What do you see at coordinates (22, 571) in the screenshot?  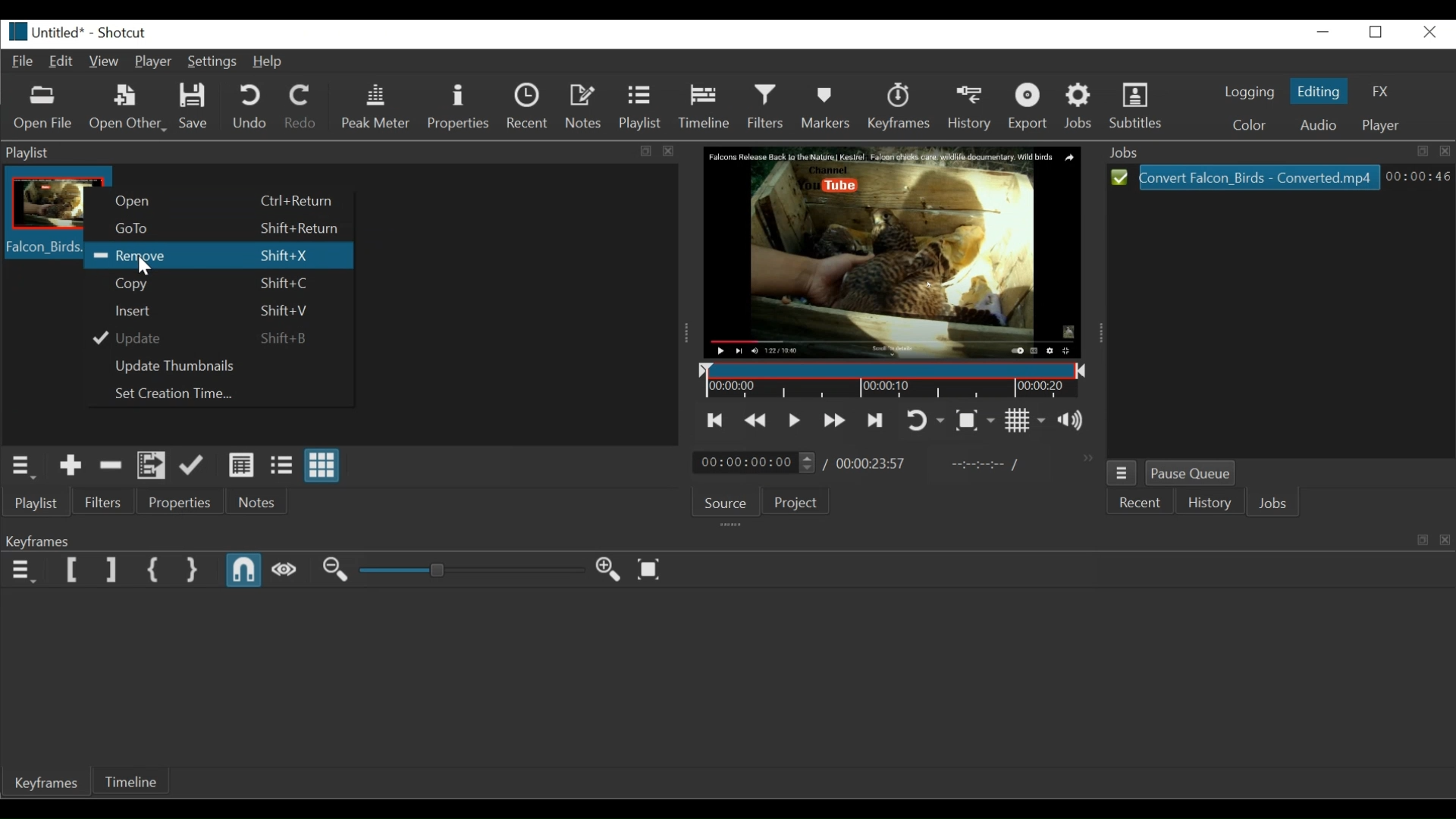 I see `Keyframe menu` at bounding box center [22, 571].